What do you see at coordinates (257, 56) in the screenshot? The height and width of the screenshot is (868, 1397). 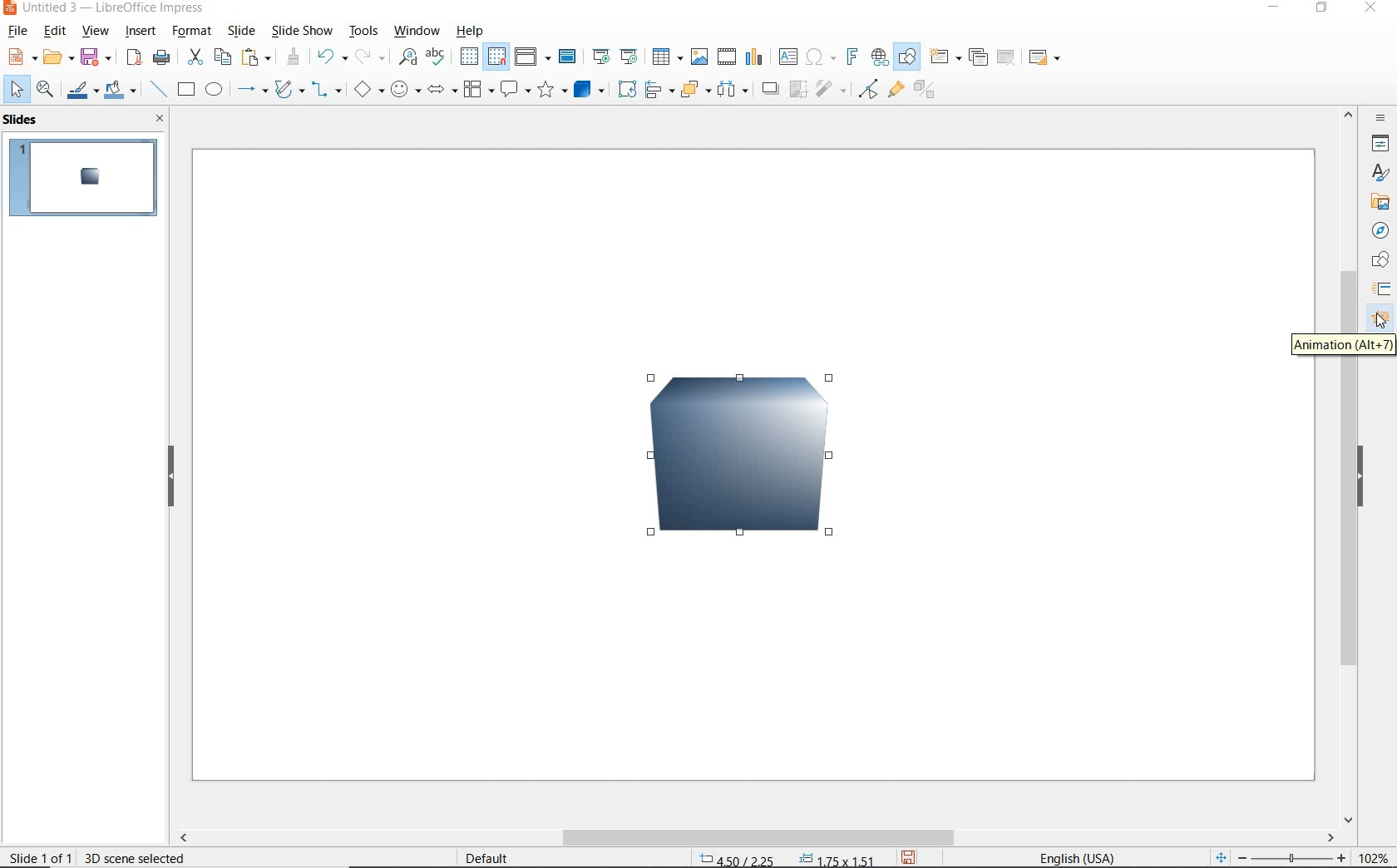 I see `paste` at bounding box center [257, 56].